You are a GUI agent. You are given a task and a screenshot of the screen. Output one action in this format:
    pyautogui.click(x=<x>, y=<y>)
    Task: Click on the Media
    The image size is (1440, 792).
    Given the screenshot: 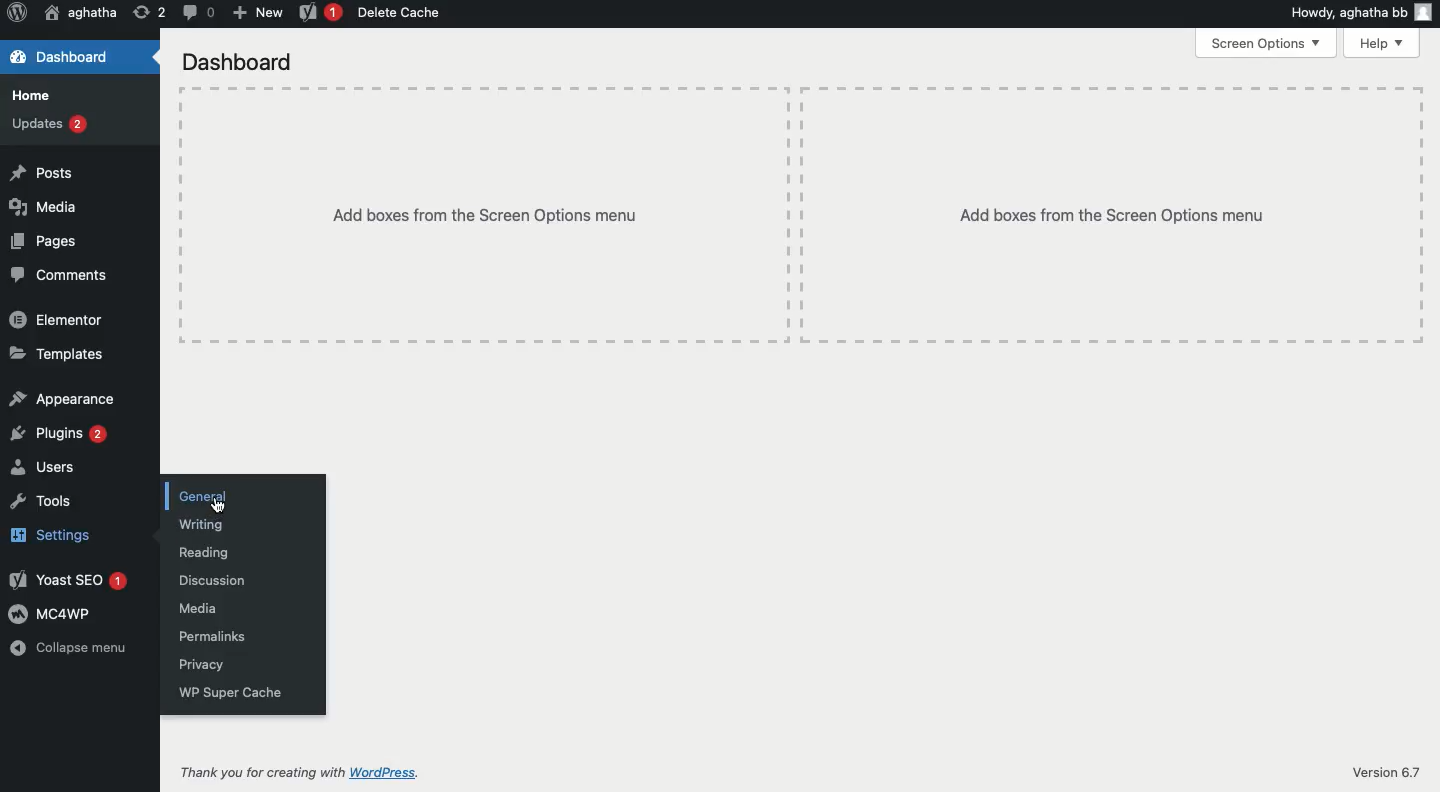 What is the action you would take?
    pyautogui.click(x=194, y=610)
    